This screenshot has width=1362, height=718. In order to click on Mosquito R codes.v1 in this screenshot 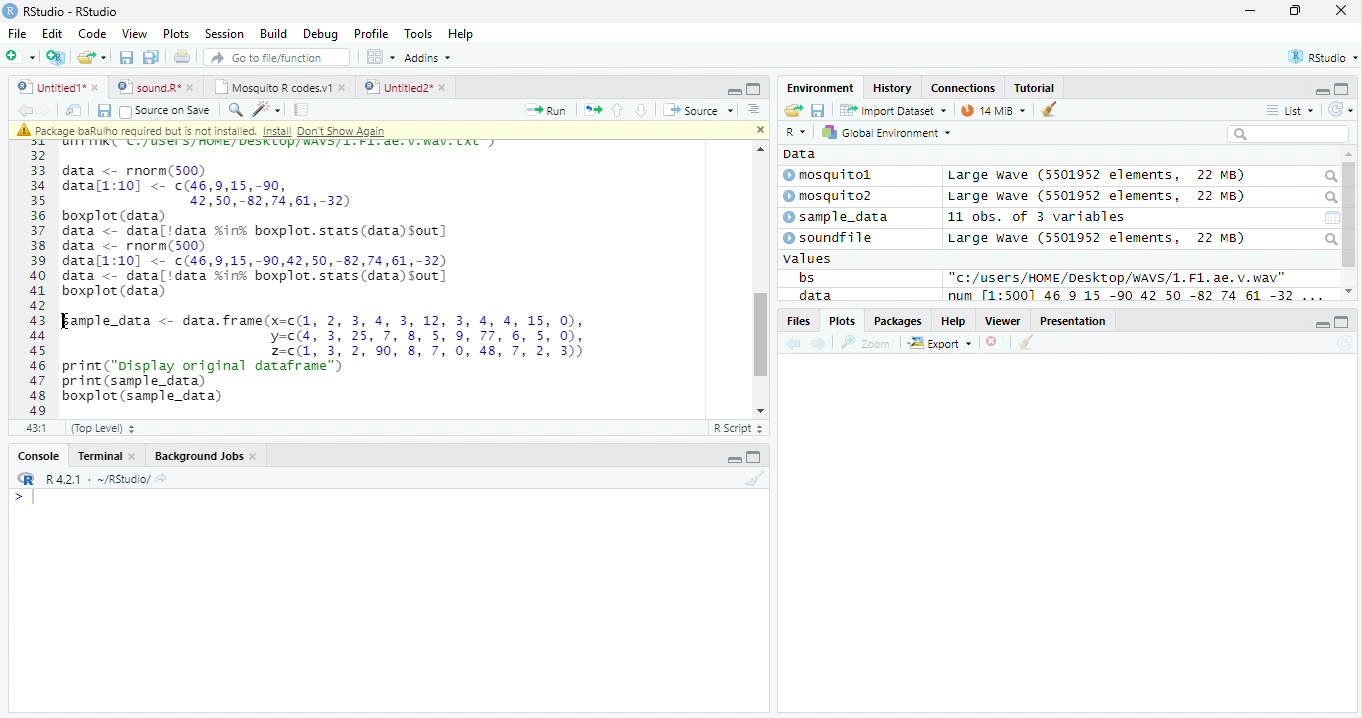, I will do `click(277, 86)`.